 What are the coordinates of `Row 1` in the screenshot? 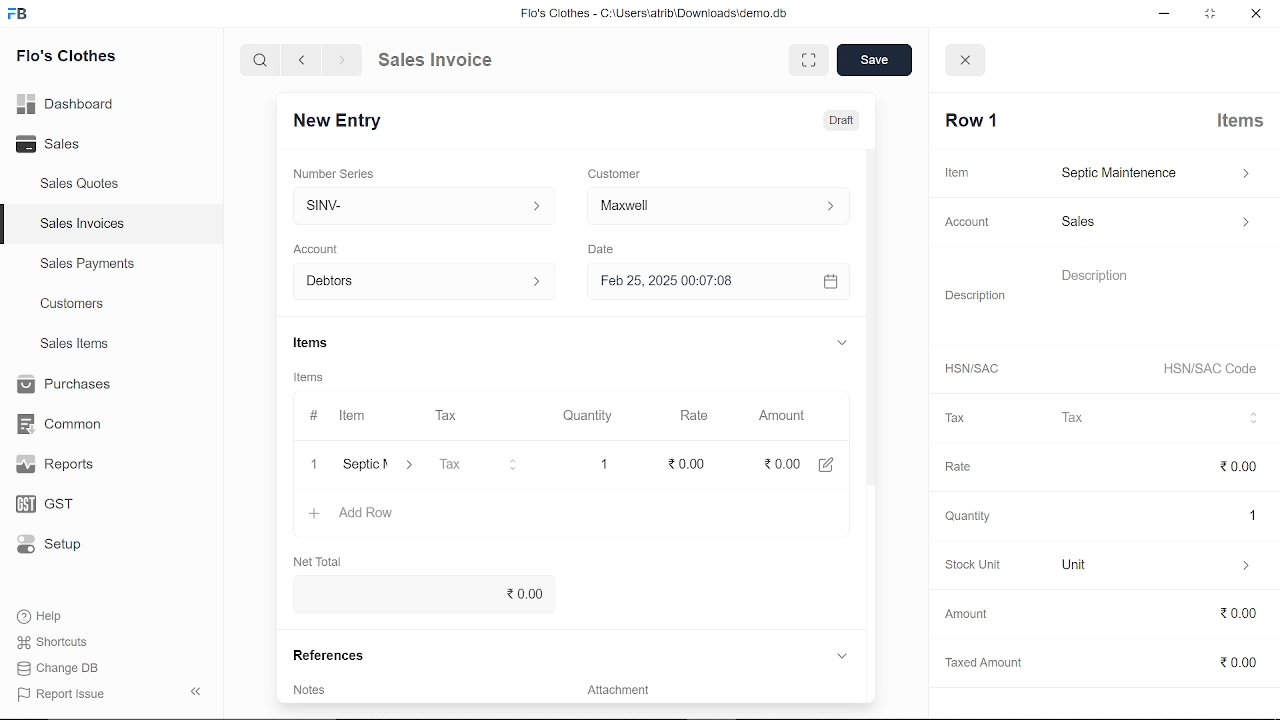 It's located at (973, 121).